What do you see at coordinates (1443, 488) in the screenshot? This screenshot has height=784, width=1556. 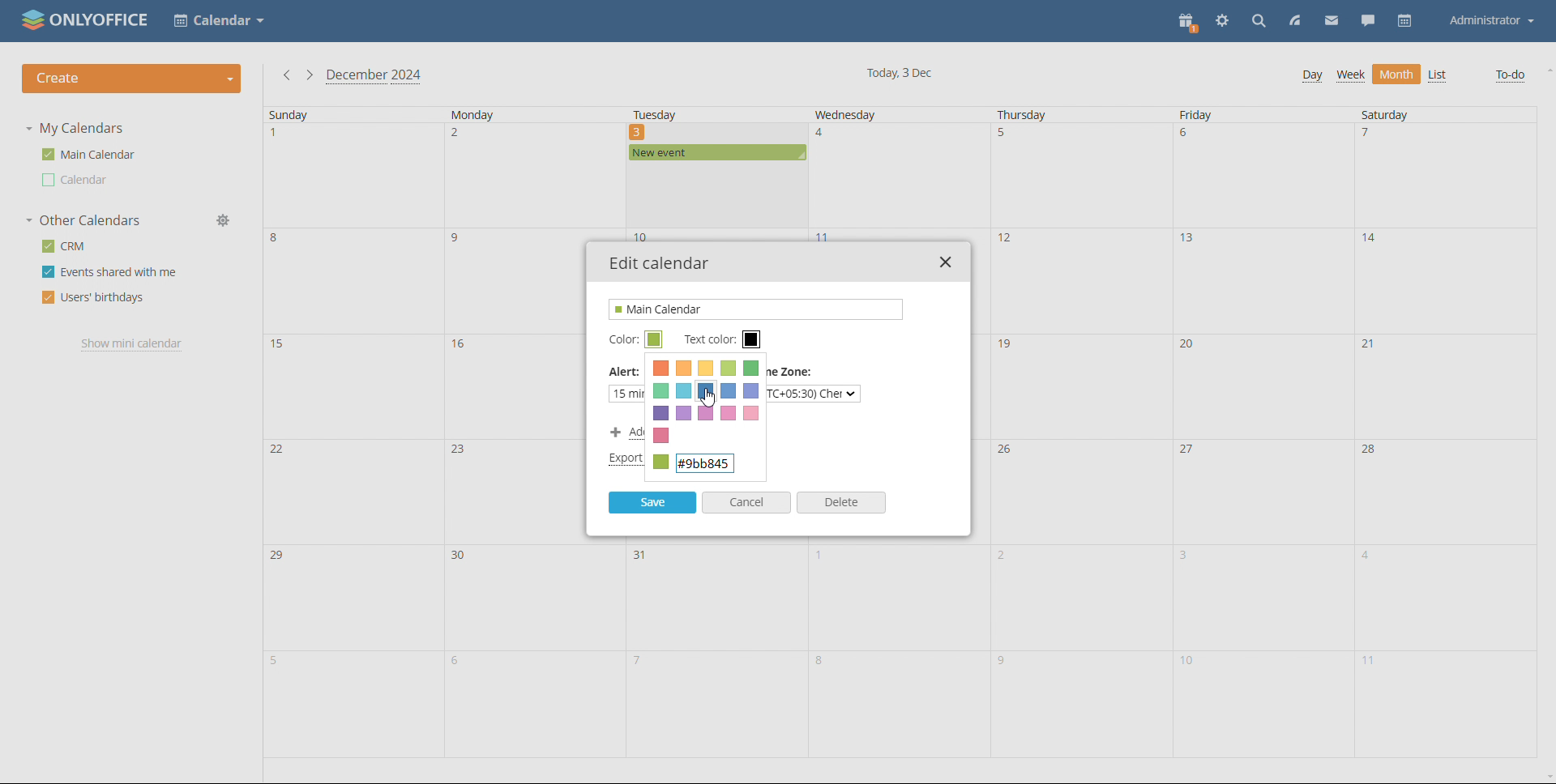 I see `date` at bounding box center [1443, 488].